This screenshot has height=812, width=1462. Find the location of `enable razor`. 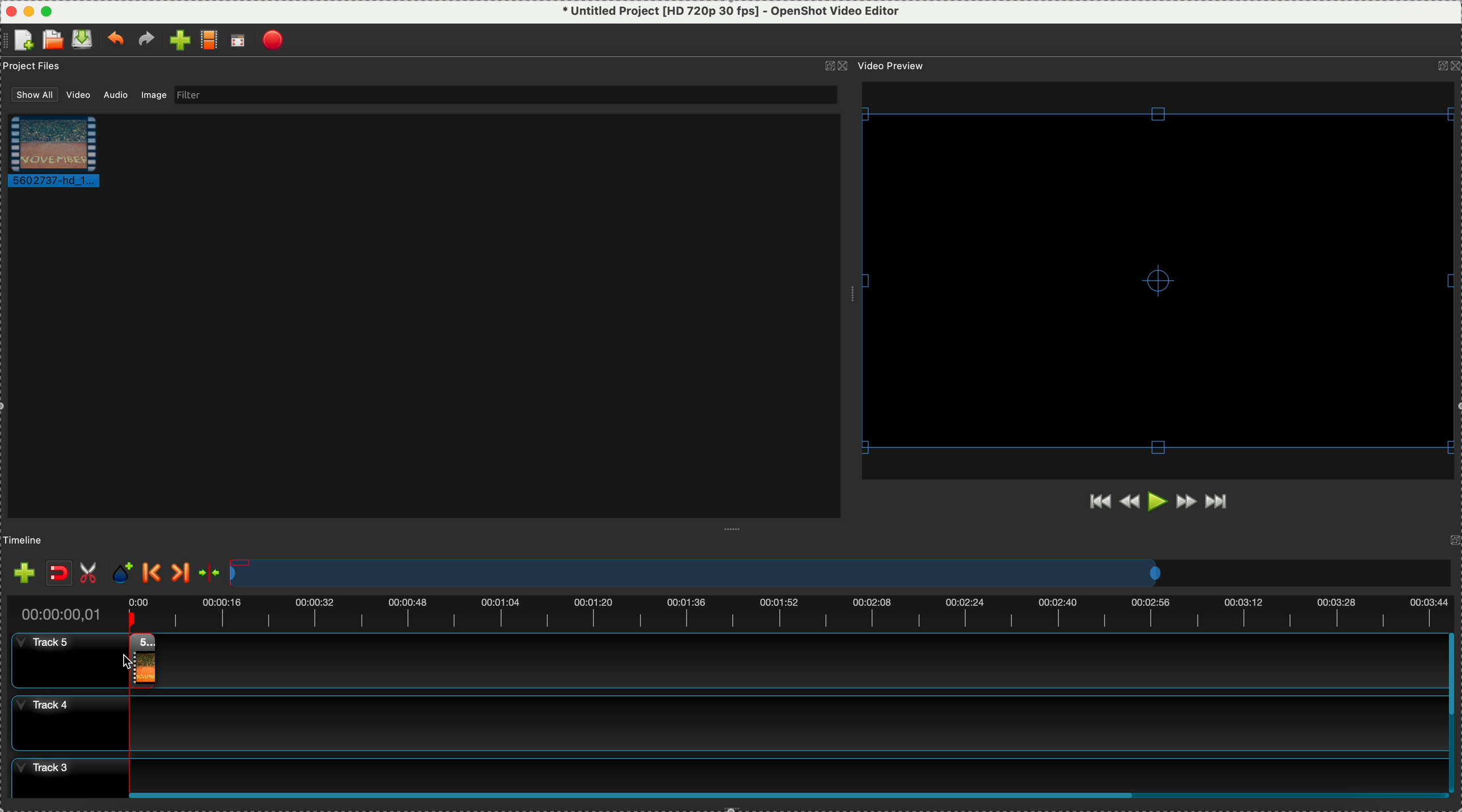

enable razor is located at coordinates (91, 571).